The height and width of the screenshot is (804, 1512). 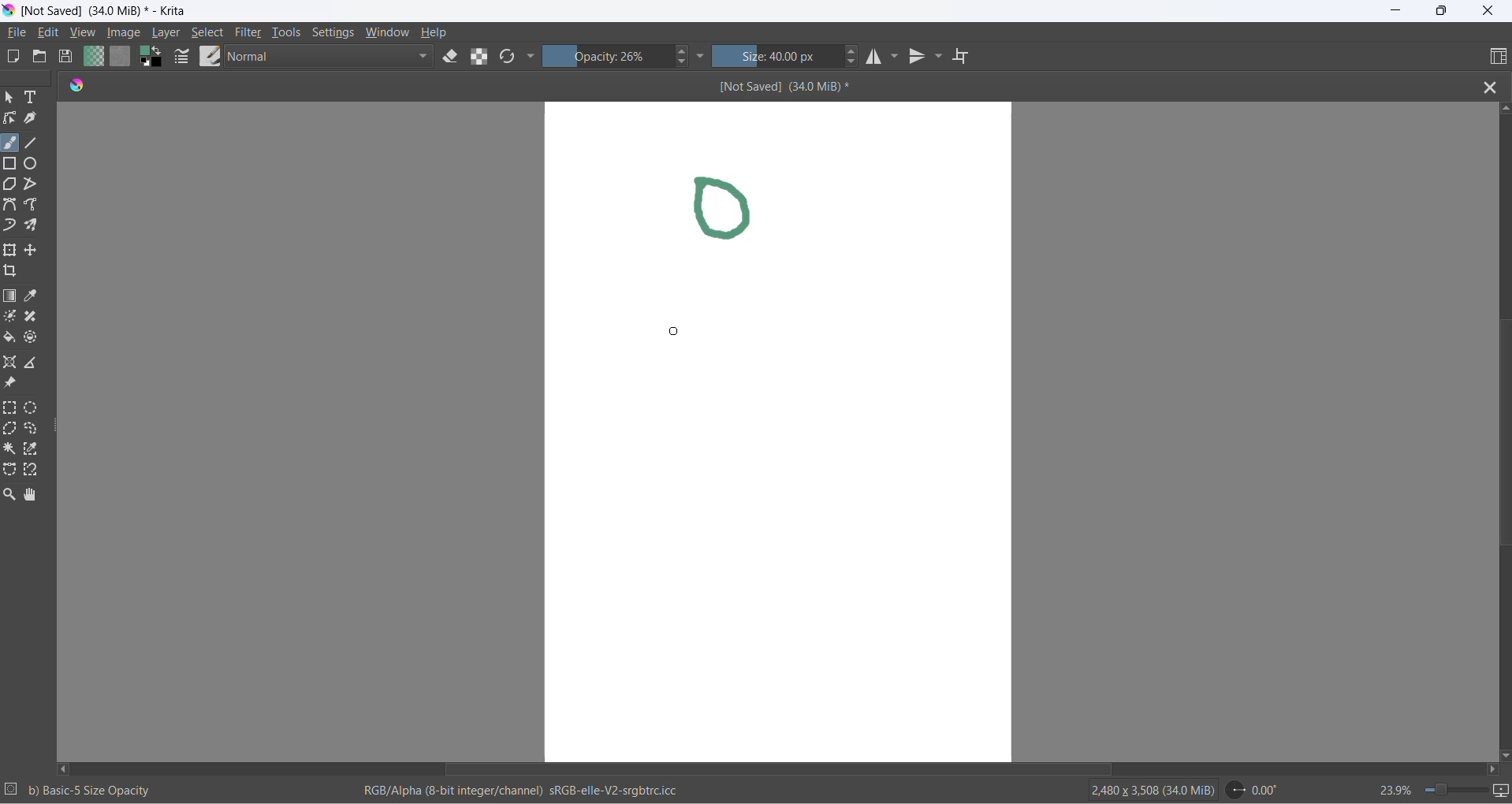 What do you see at coordinates (1438, 11) in the screenshot?
I see `maximize` at bounding box center [1438, 11].